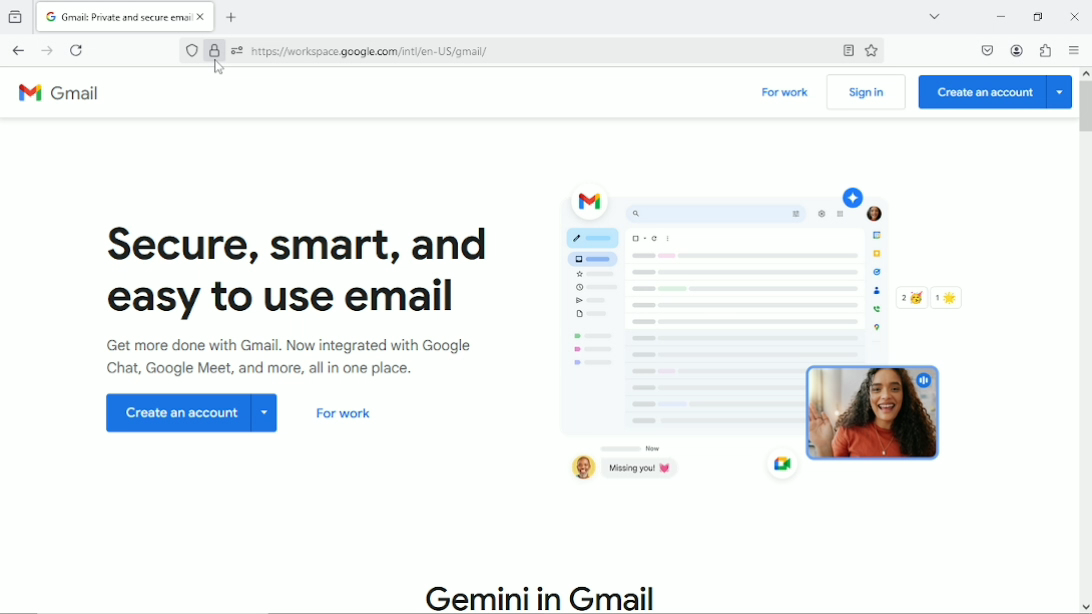 The width and height of the screenshot is (1092, 614). I want to click on List all tabs, so click(931, 15).